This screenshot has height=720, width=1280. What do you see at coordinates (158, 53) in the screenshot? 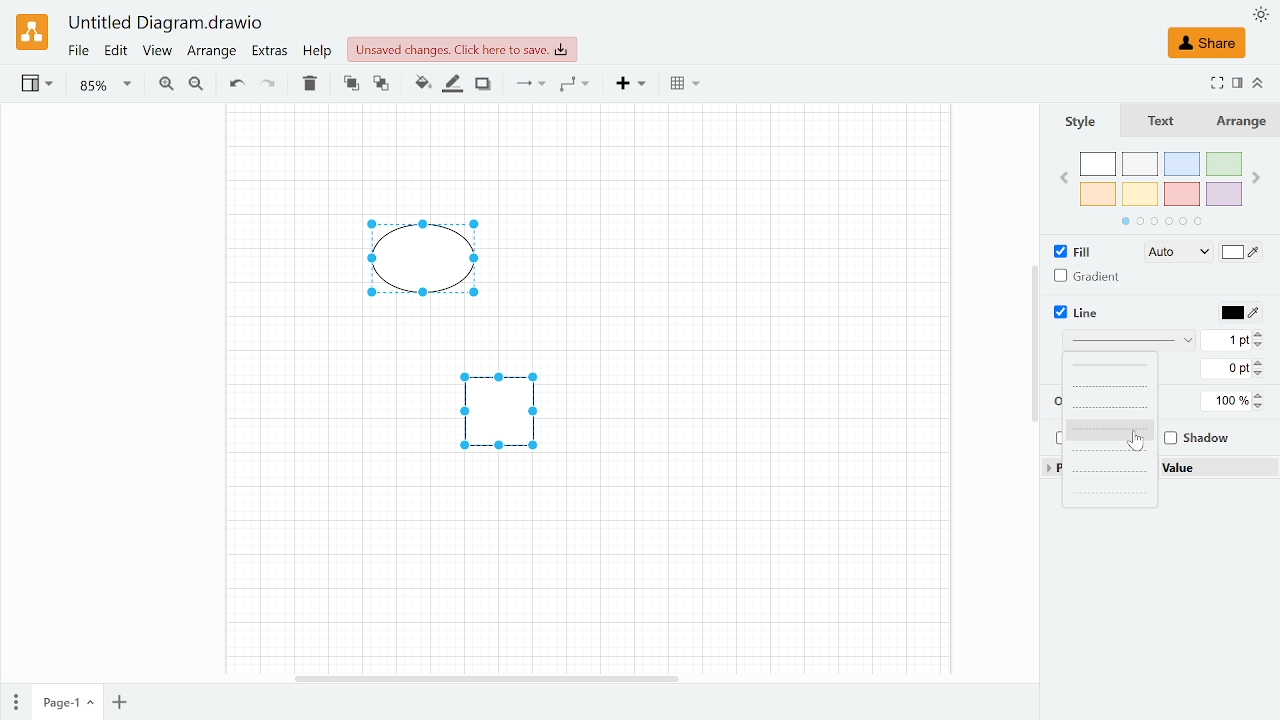
I see `View` at bounding box center [158, 53].